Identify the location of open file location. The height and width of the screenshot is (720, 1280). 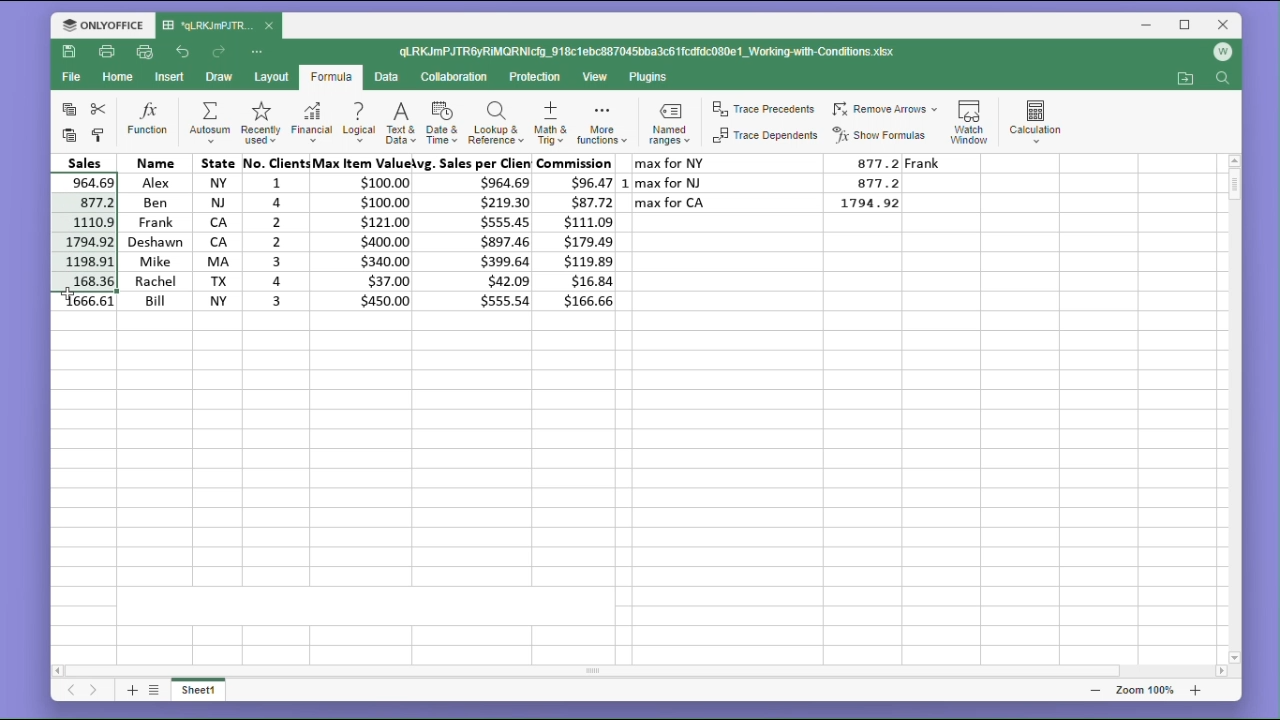
(1185, 79).